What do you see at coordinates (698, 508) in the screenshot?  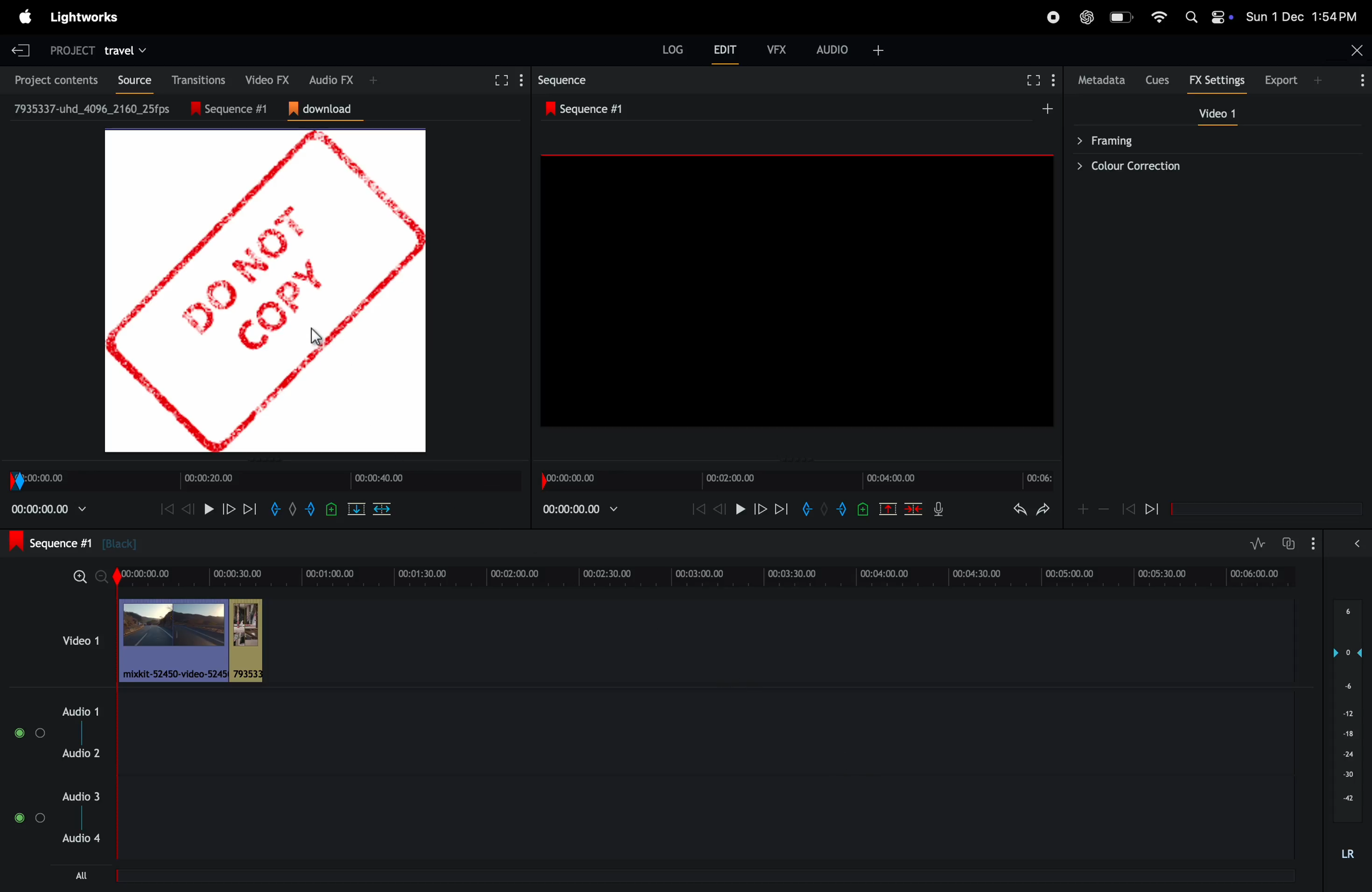 I see `rewind` at bounding box center [698, 508].